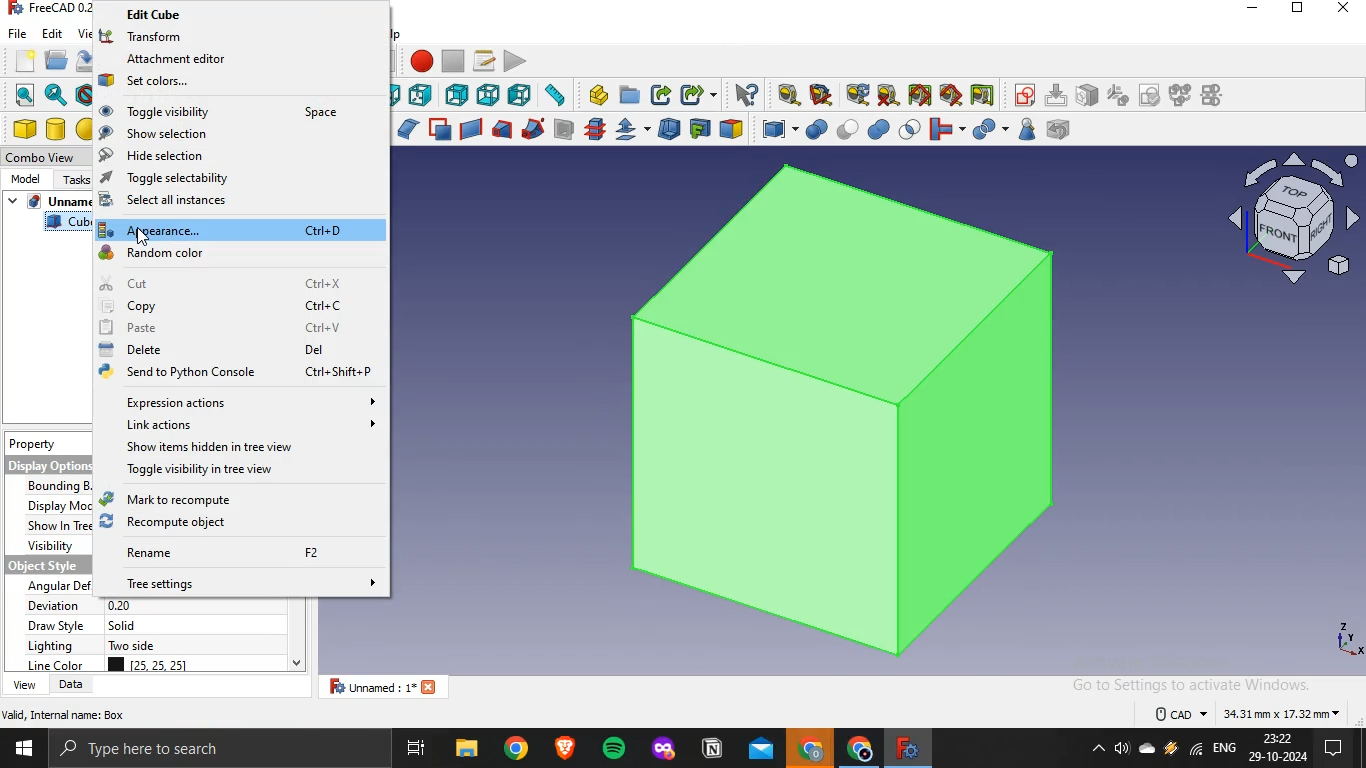 This screenshot has height=768, width=1366. What do you see at coordinates (1196, 752) in the screenshot?
I see `wifi` at bounding box center [1196, 752].